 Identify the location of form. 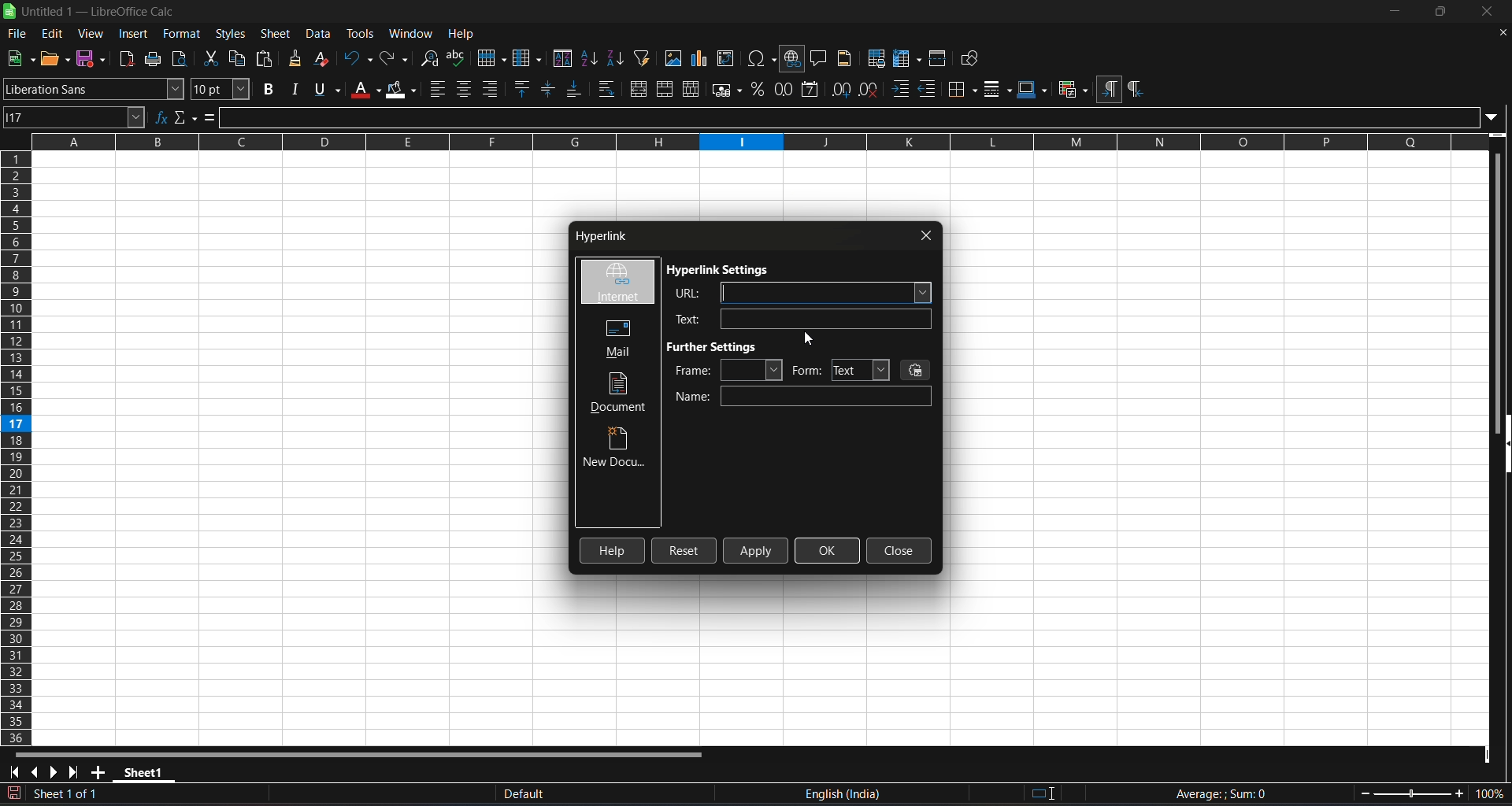
(840, 370).